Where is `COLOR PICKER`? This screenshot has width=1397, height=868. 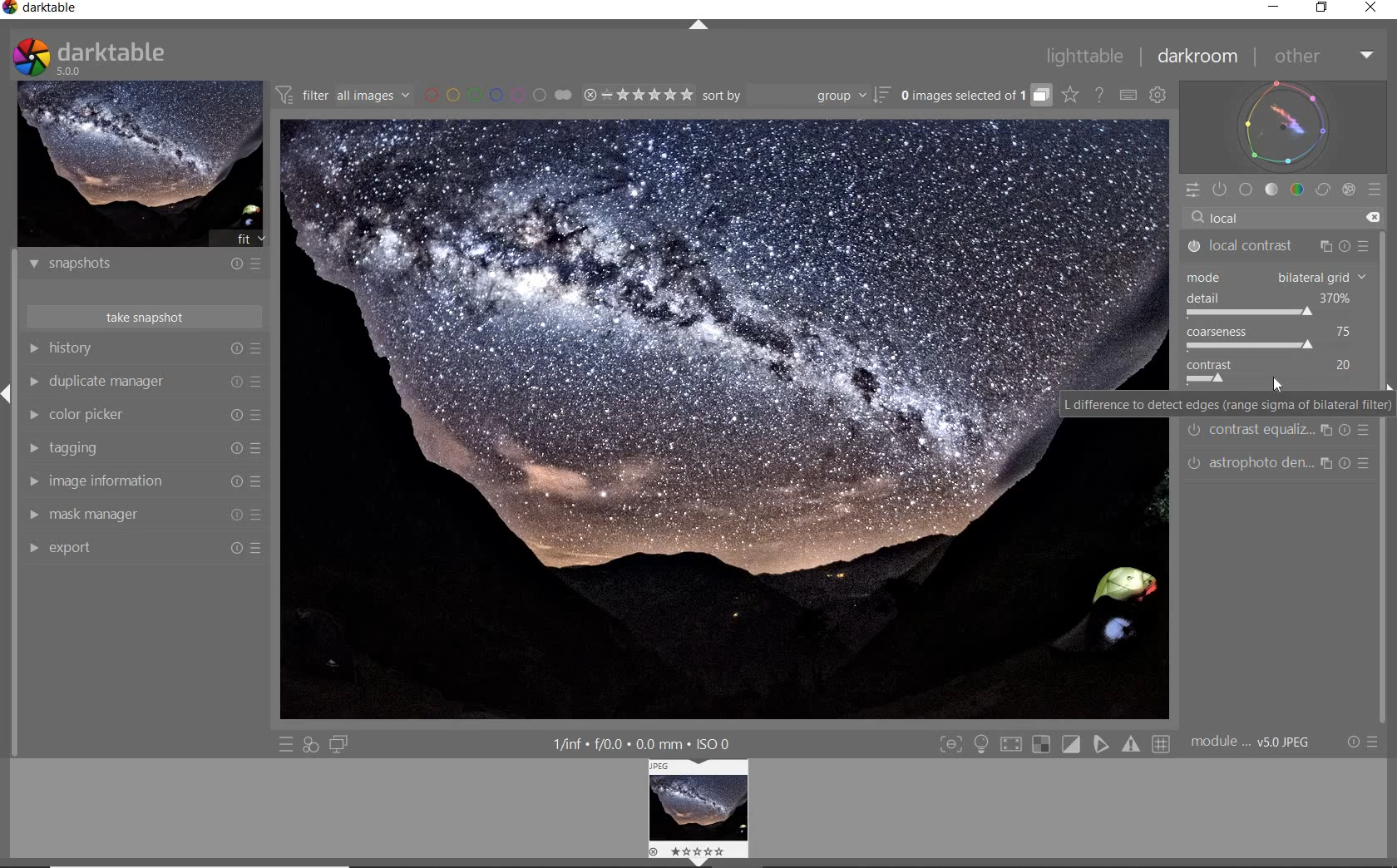 COLOR PICKER is located at coordinates (32, 413).